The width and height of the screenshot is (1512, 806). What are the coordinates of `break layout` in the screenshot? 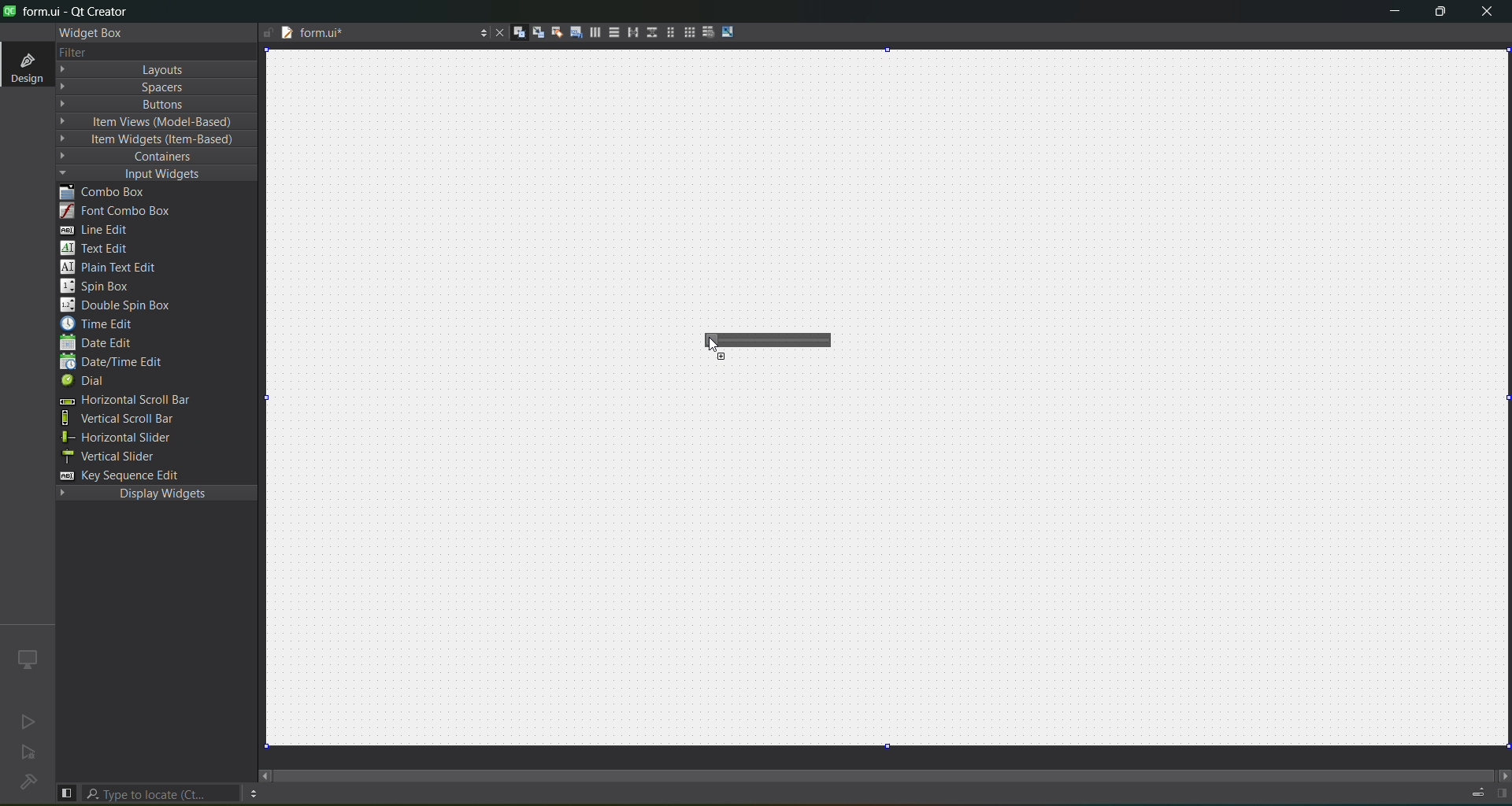 It's located at (710, 32).